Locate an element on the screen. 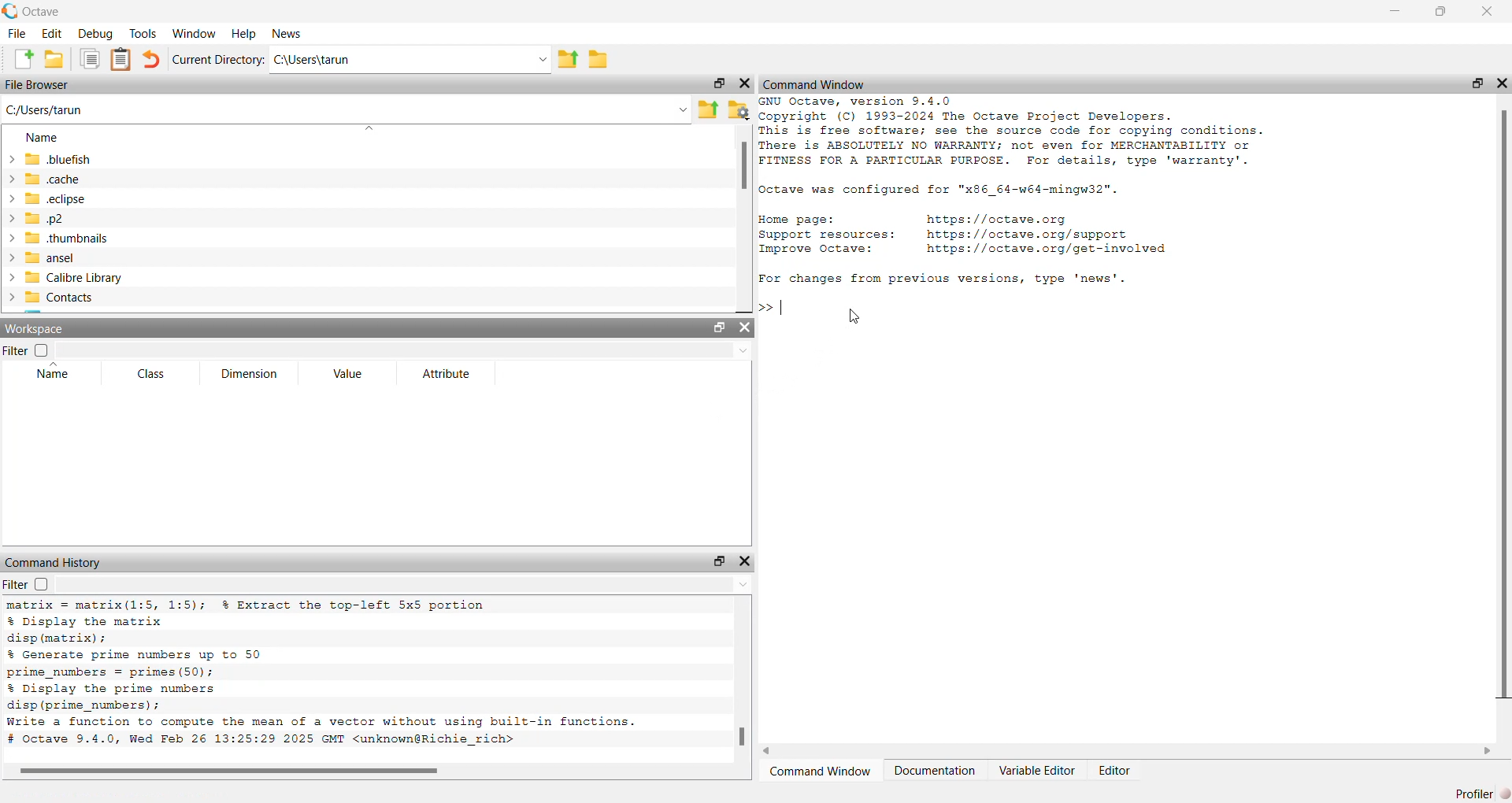 This screenshot has width=1512, height=803. scroll bar is located at coordinates (234, 772).